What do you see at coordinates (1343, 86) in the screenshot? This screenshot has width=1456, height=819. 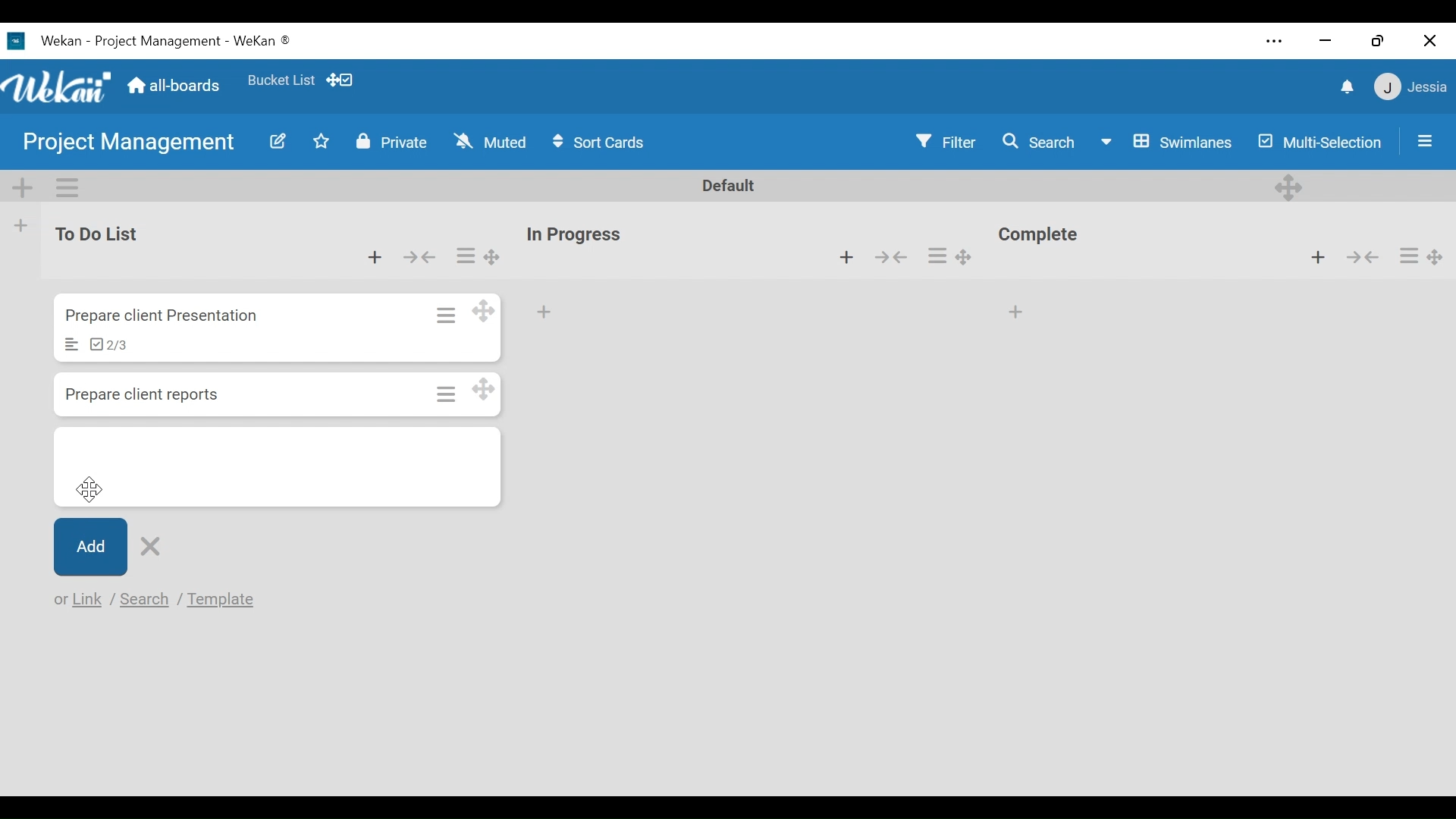 I see `notifications` at bounding box center [1343, 86].